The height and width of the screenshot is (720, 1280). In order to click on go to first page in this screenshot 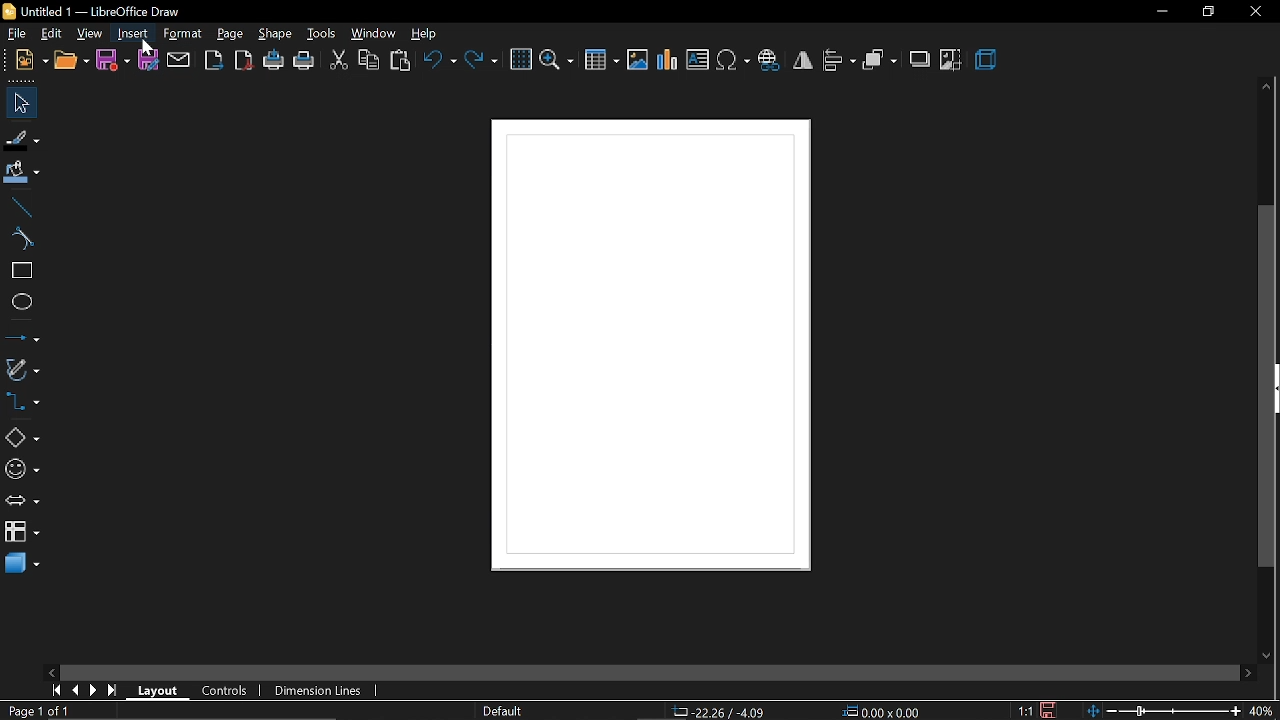, I will do `click(53, 690)`.